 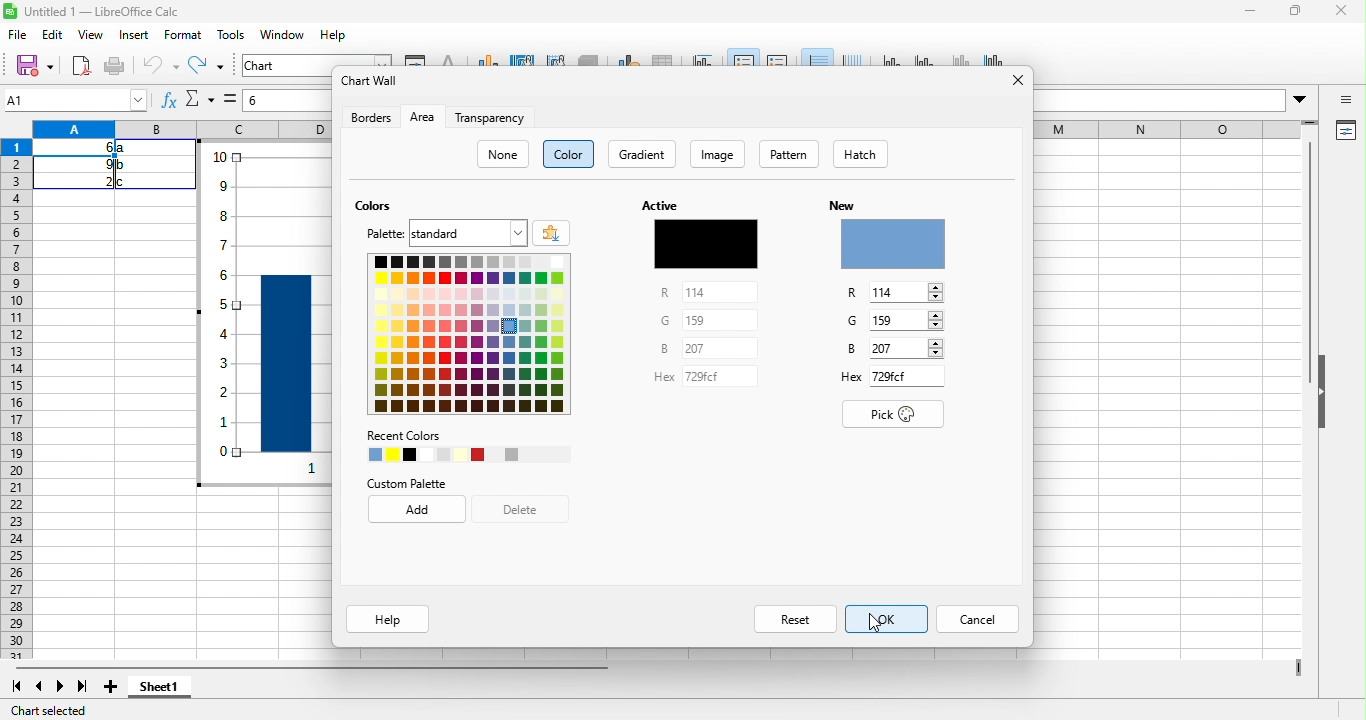 What do you see at coordinates (124, 182) in the screenshot?
I see `c` at bounding box center [124, 182].